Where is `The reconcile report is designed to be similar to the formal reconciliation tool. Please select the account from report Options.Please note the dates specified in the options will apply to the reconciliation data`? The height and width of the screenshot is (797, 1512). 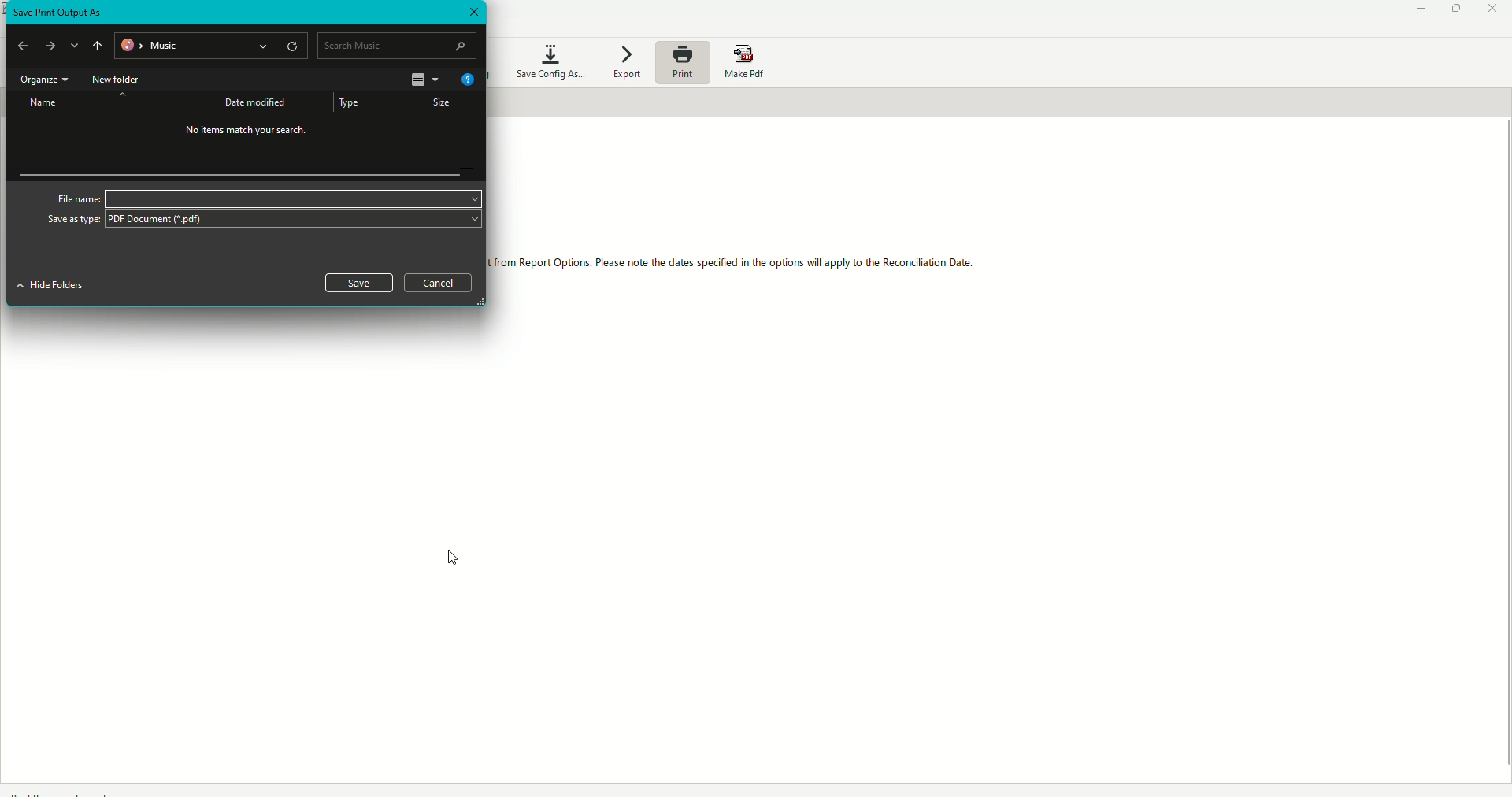 The reconcile report is designed to be similar to the formal reconciliation tool. Please select the account from report Options.Please note the dates specified in the options will apply to the reconciliation data is located at coordinates (736, 264).